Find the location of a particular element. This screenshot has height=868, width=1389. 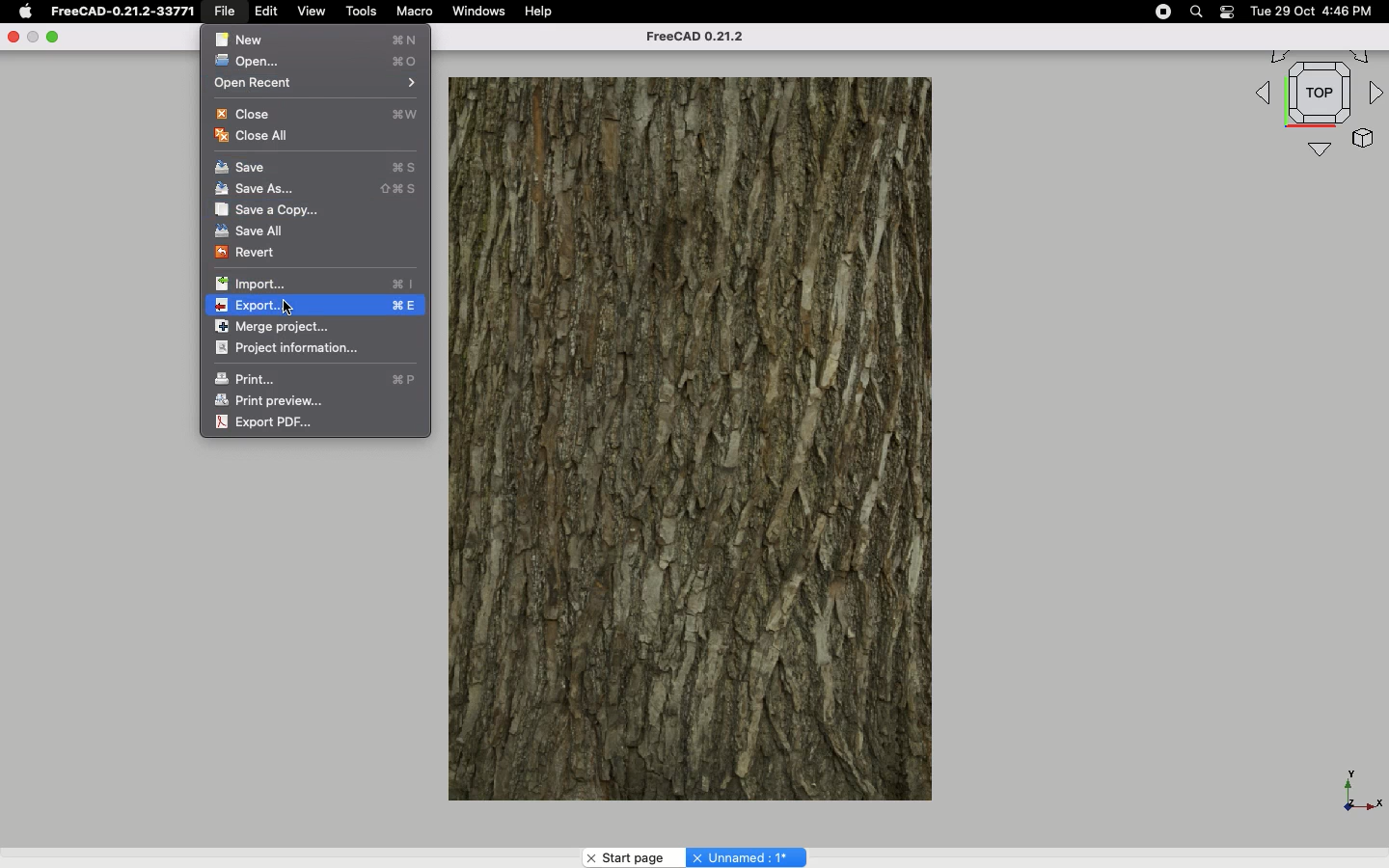

Object is located at coordinates (691, 434).